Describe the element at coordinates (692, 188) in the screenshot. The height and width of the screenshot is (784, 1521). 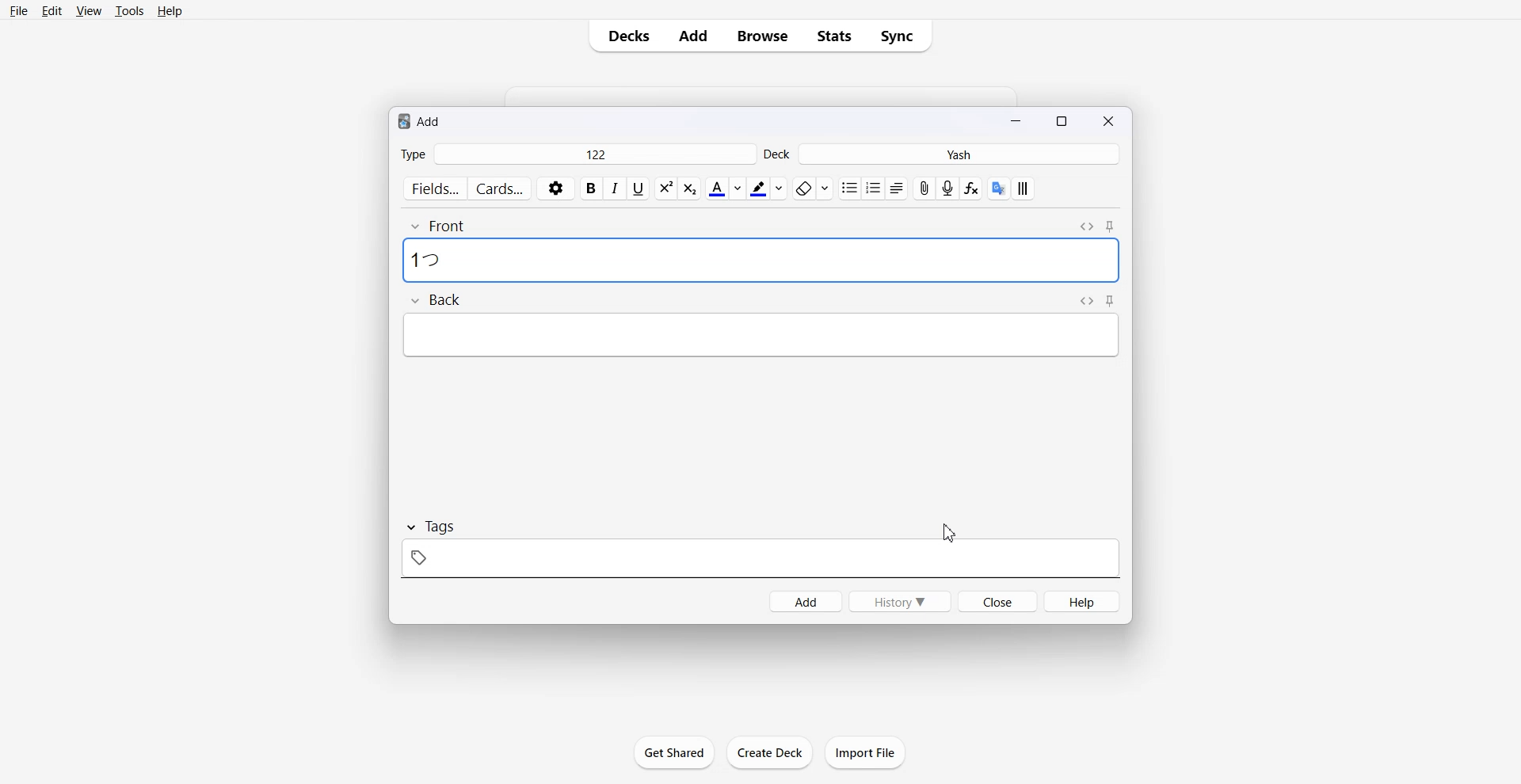
I see `Superscript` at that location.